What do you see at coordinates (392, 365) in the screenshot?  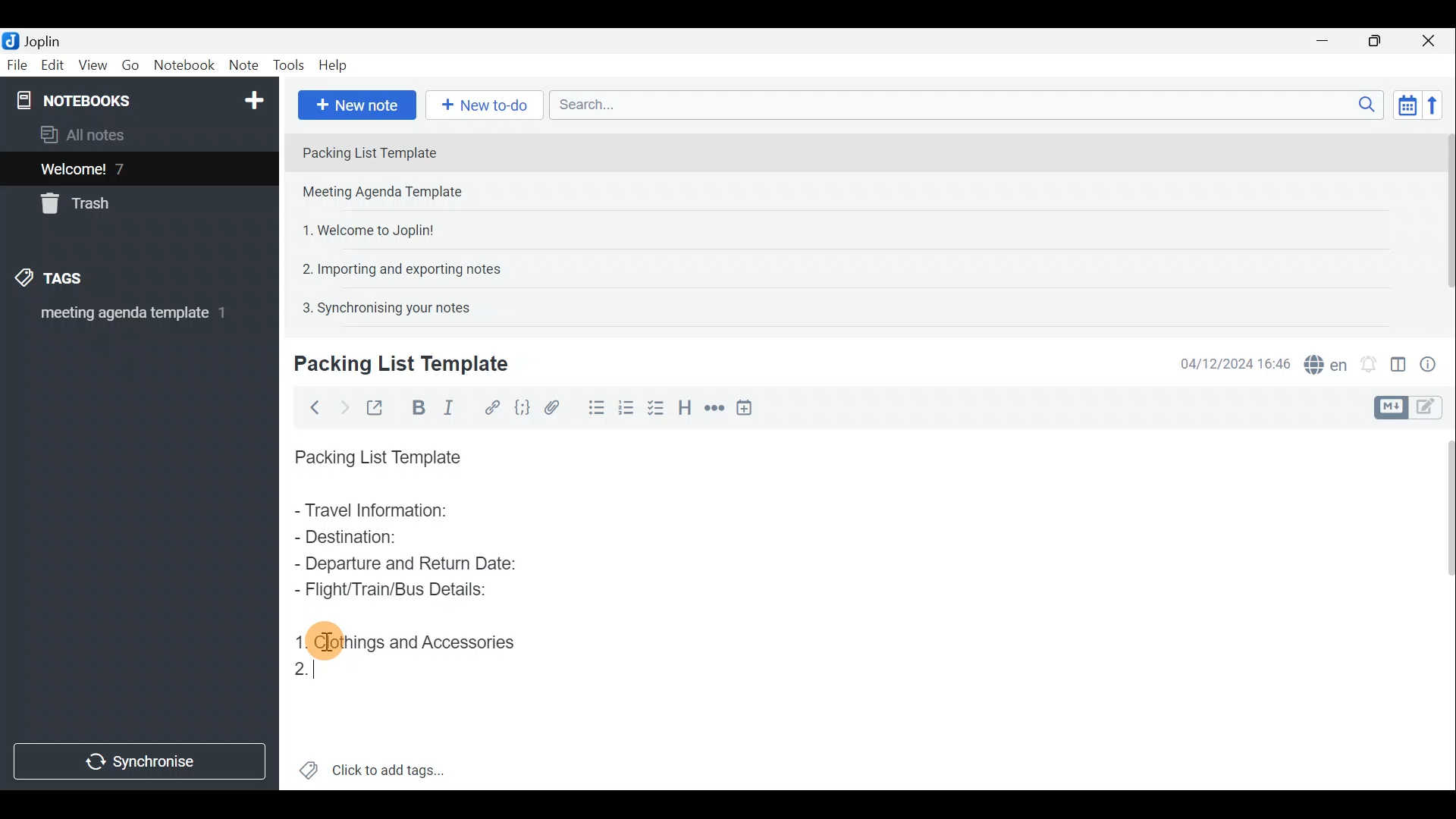 I see `Creating new note` at bounding box center [392, 365].